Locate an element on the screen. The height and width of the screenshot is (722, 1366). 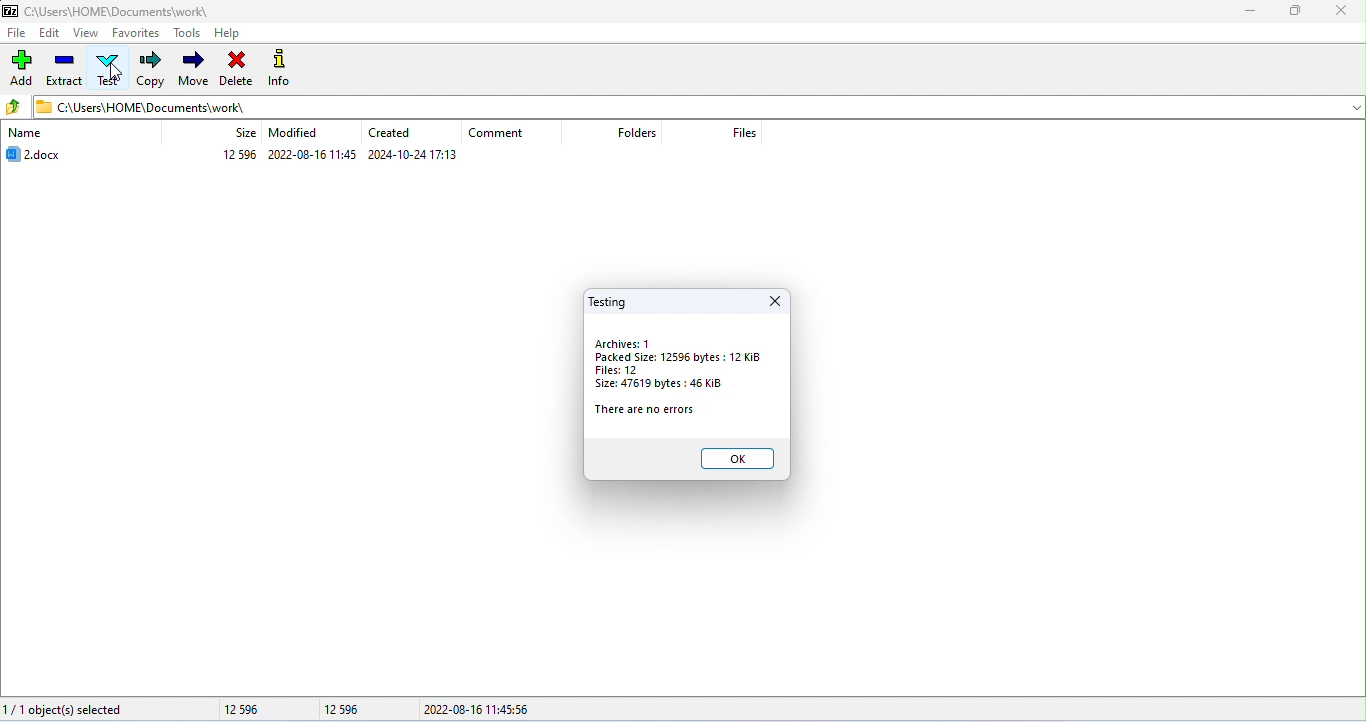
testing is located at coordinates (609, 302).